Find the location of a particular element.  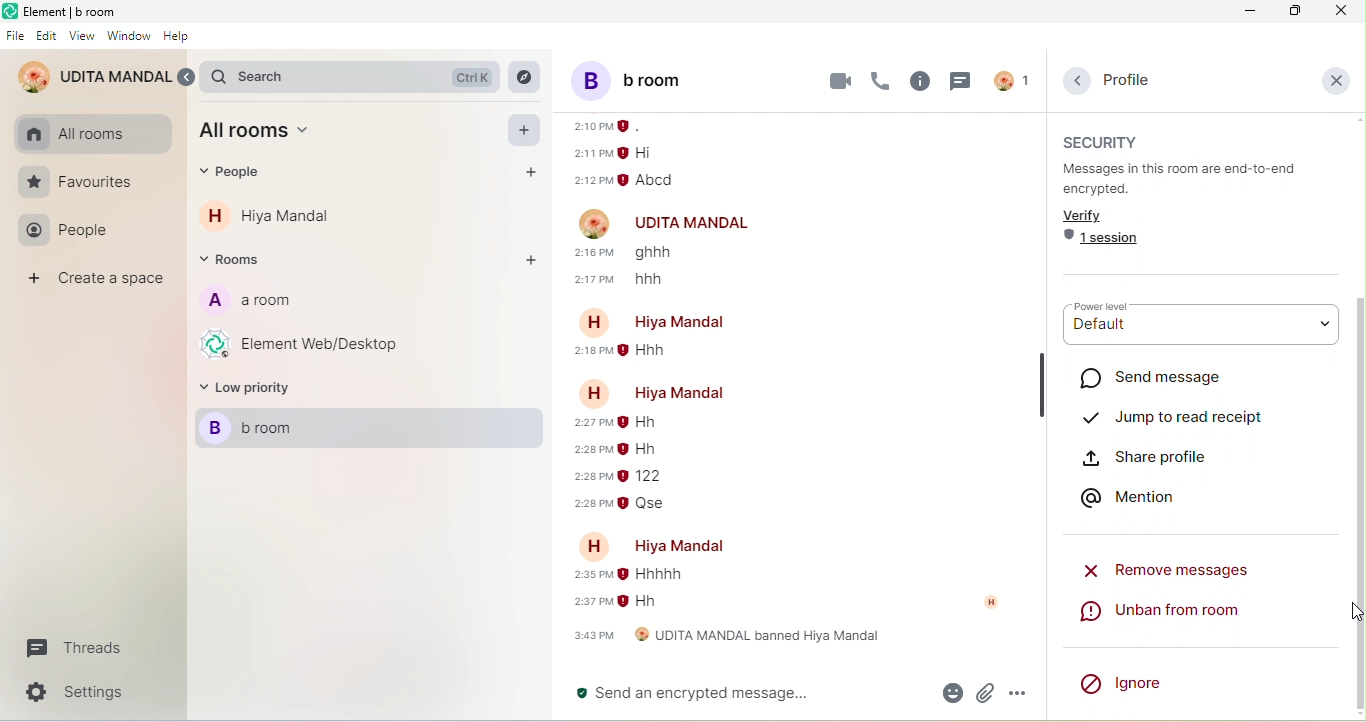

attachment is located at coordinates (984, 693).